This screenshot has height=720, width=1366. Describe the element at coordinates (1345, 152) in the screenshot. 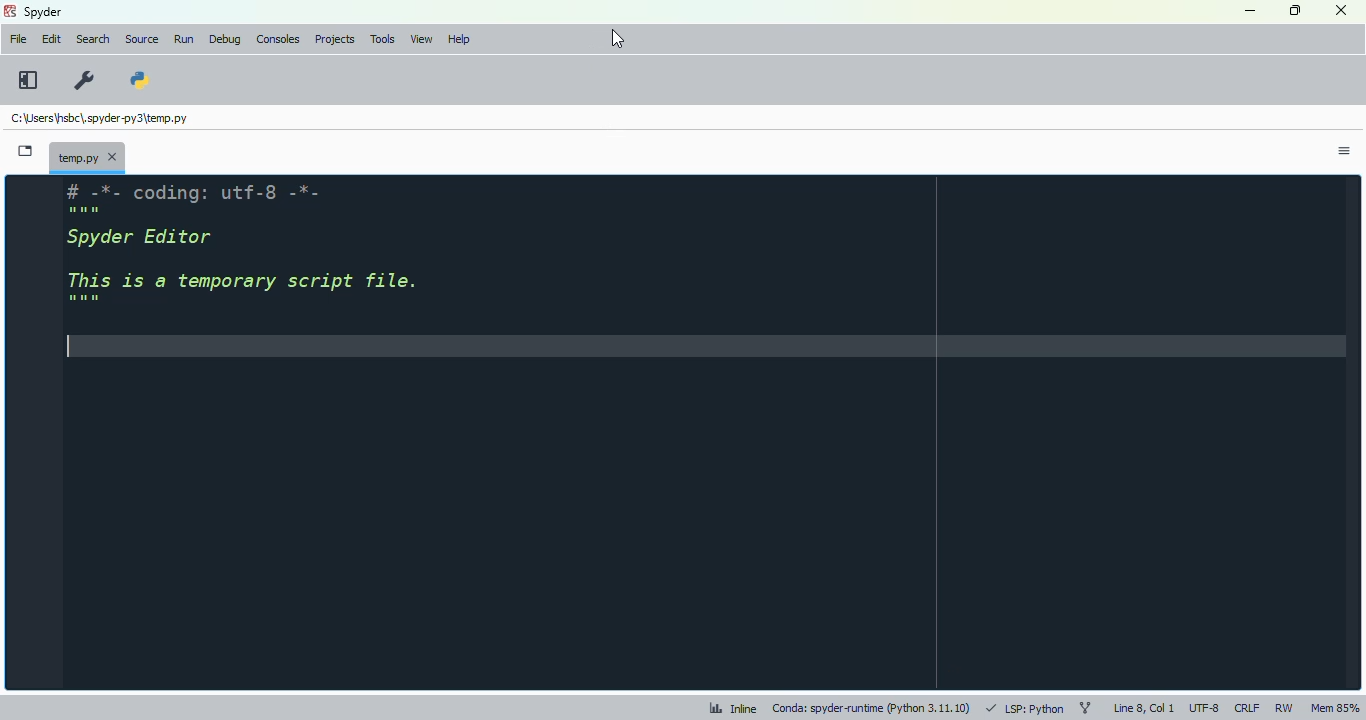

I see `options` at that location.